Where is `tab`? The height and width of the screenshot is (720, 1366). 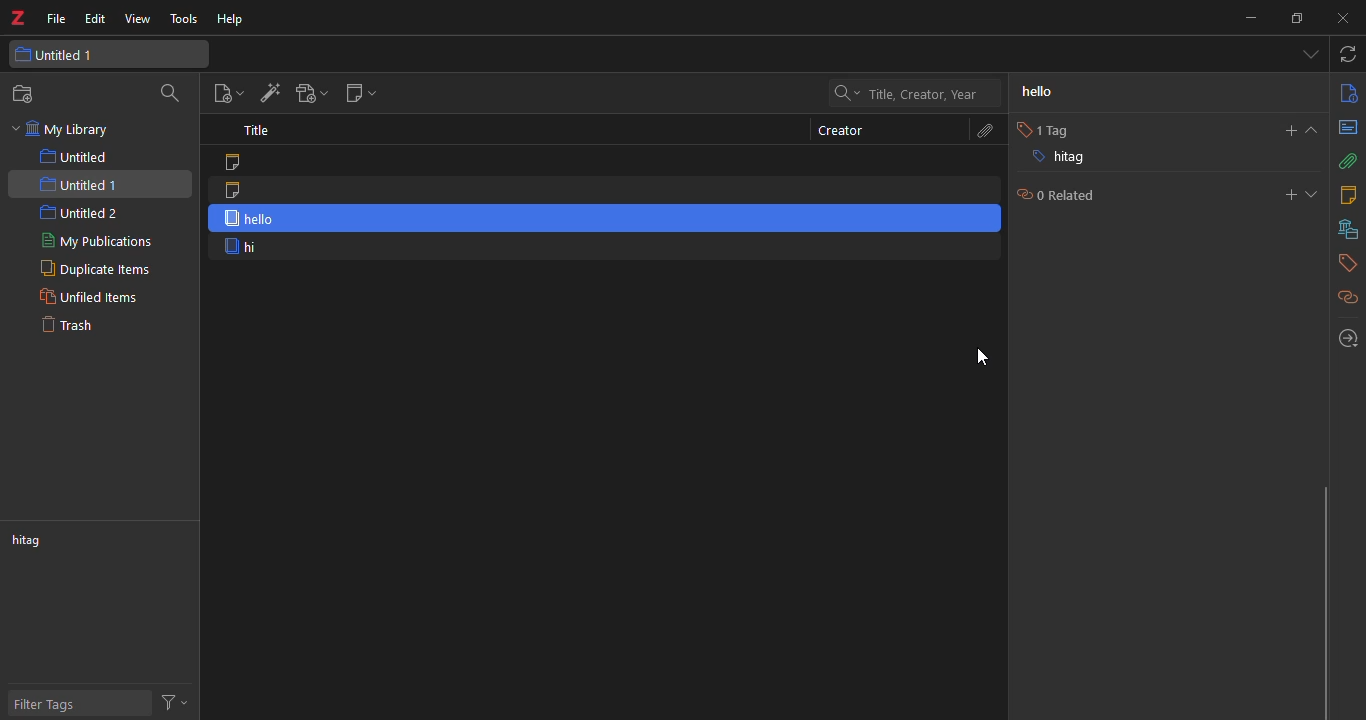 tab is located at coordinates (1306, 56).